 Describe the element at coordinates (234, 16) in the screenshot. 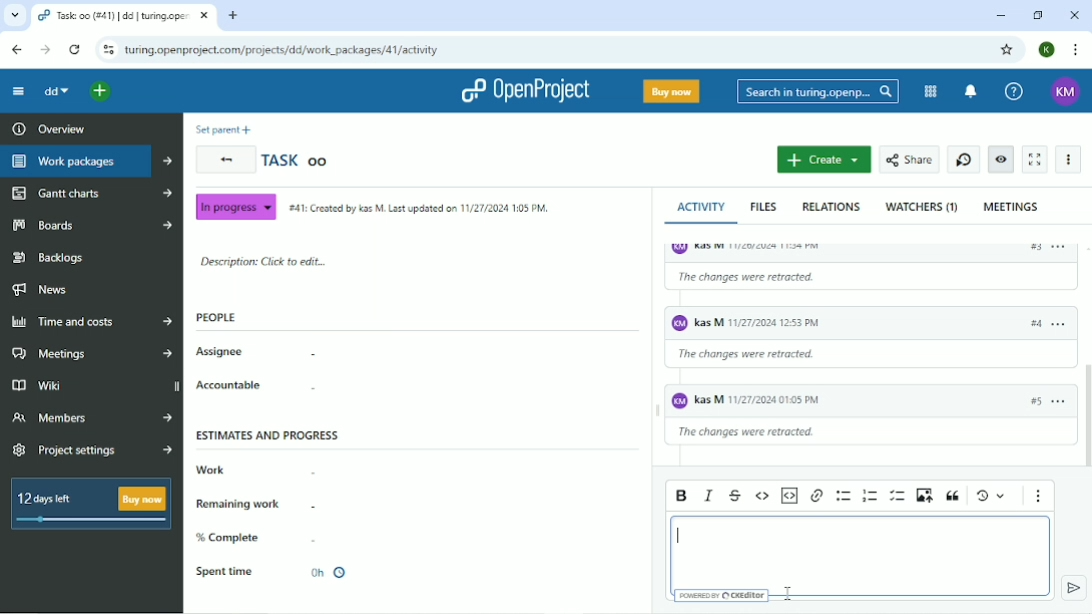

I see `New tab` at that location.